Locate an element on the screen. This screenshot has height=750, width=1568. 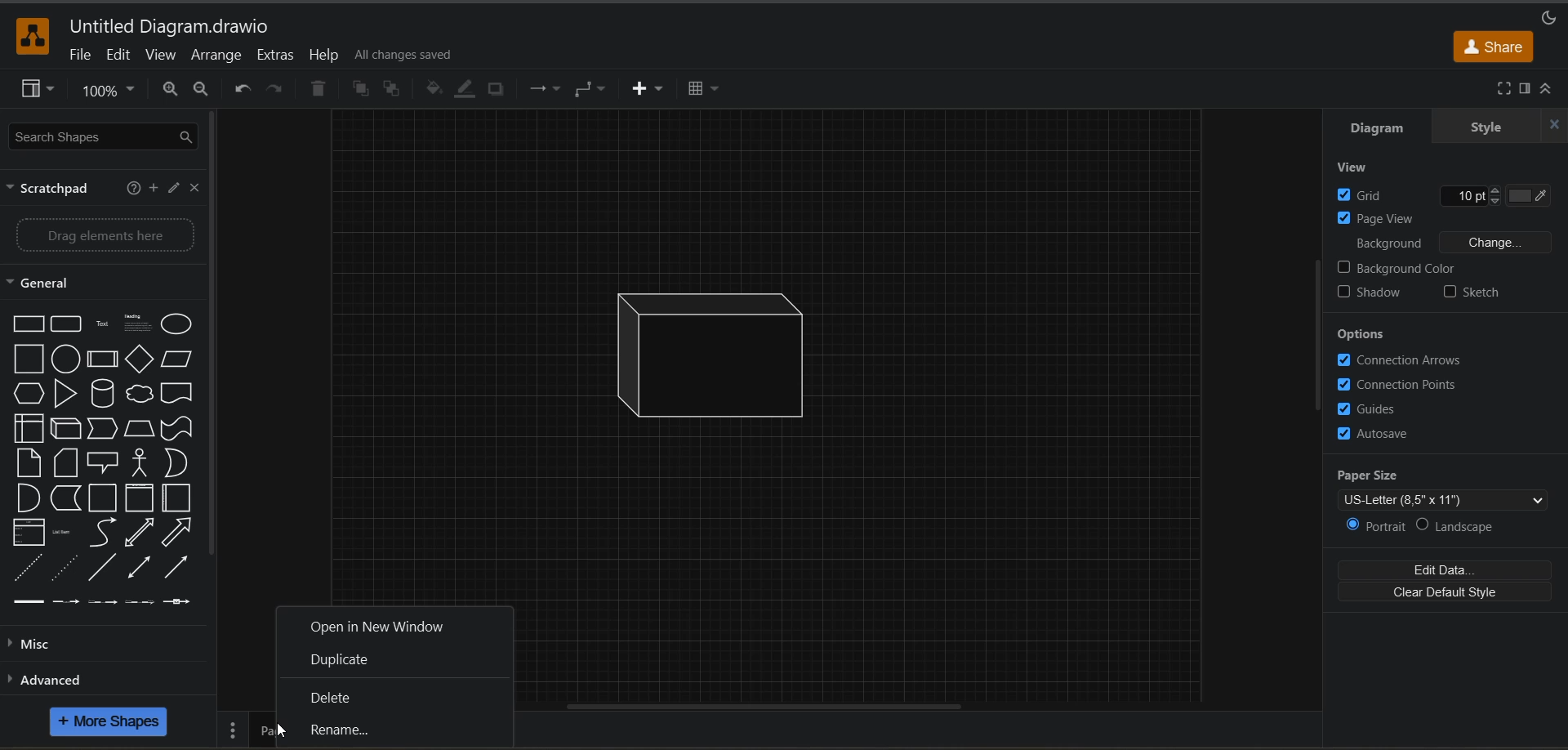
paper size is located at coordinates (1452, 488).